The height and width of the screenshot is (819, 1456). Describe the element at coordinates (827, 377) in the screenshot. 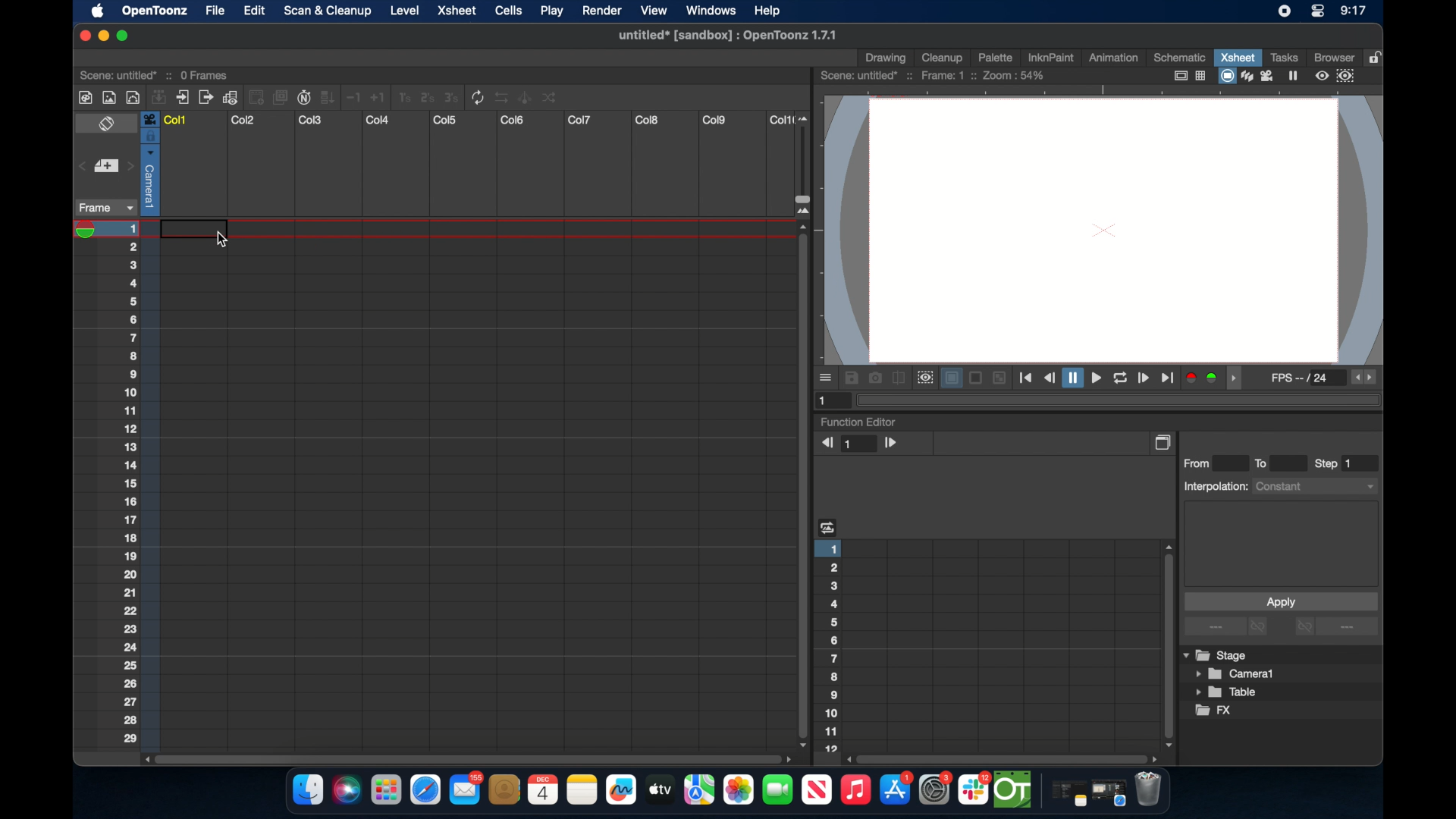

I see `moreoptions` at that location.